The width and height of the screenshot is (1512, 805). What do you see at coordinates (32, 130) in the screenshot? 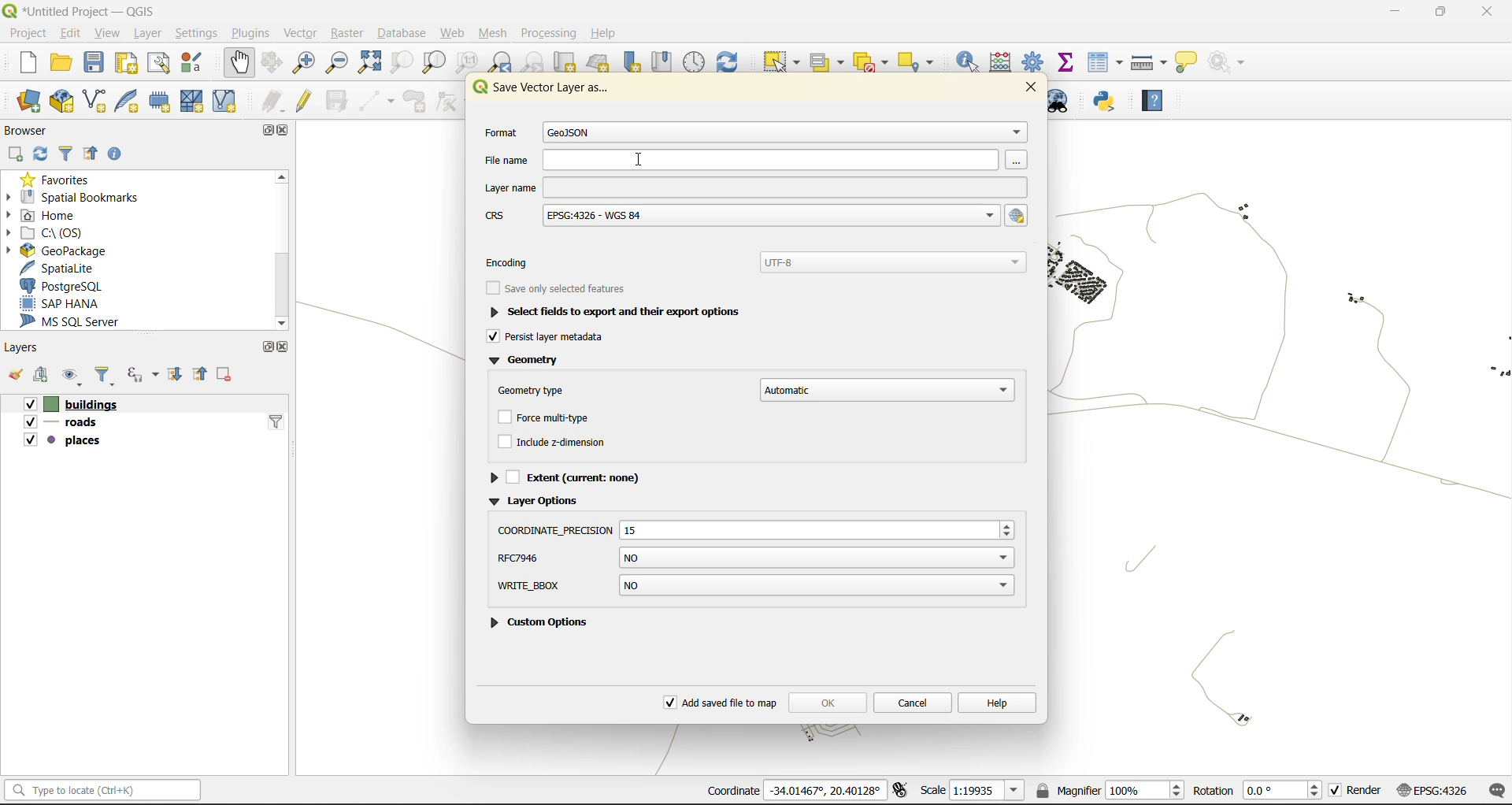
I see `browser` at bounding box center [32, 130].